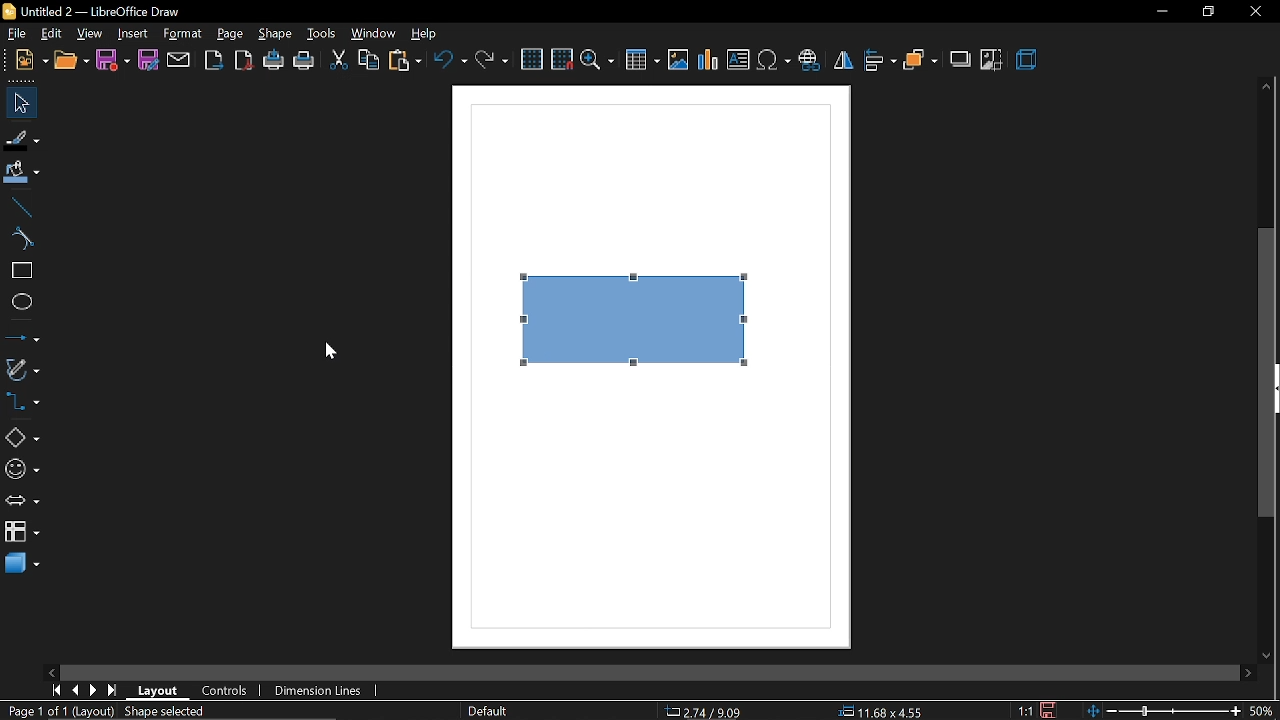 The height and width of the screenshot is (720, 1280). What do you see at coordinates (306, 60) in the screenshot?
I see `print` at bounding box center [306, 60].